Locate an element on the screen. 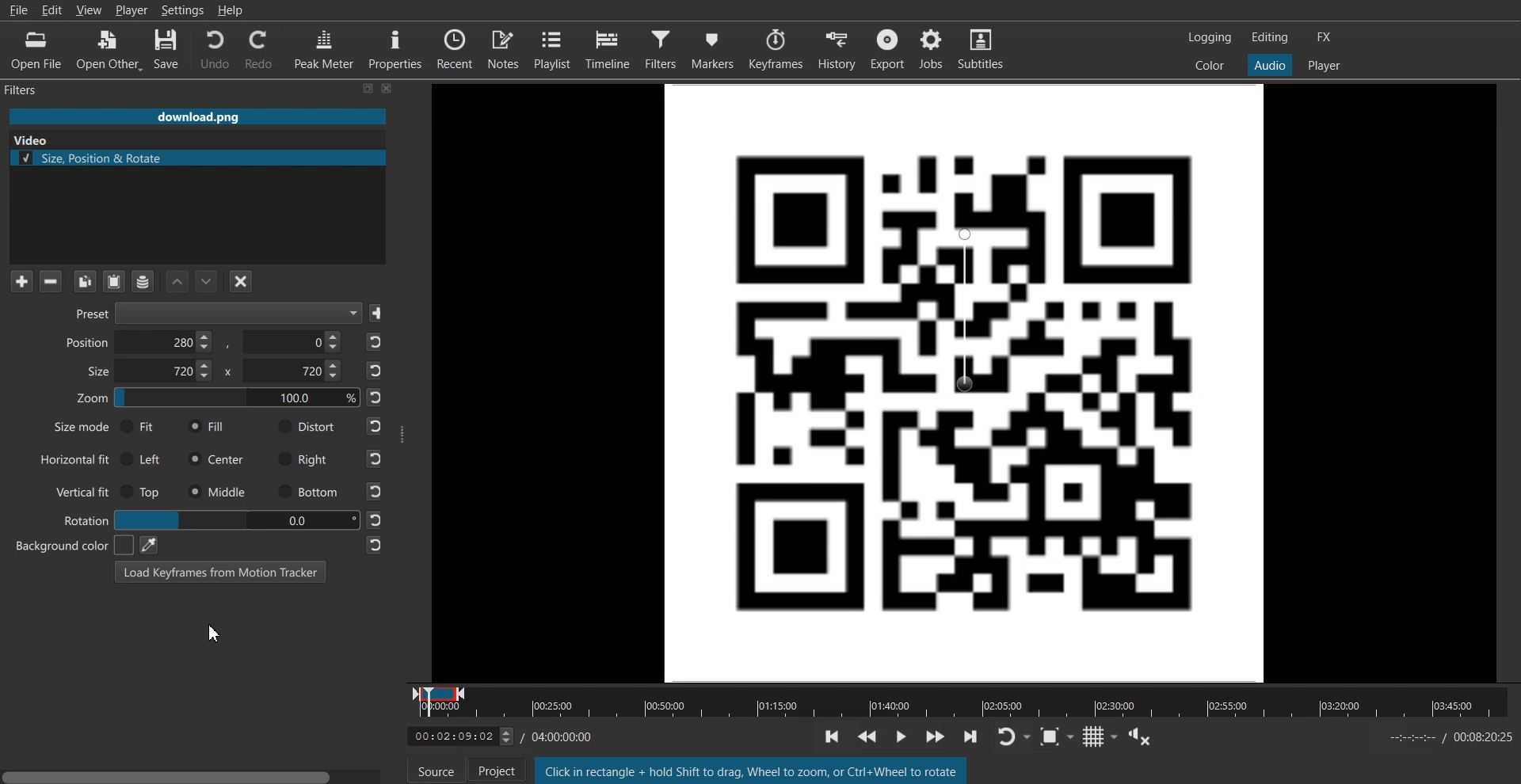 The width and height of the screenshot is (1521, 784). Filters is located at coordinates (663, 48).